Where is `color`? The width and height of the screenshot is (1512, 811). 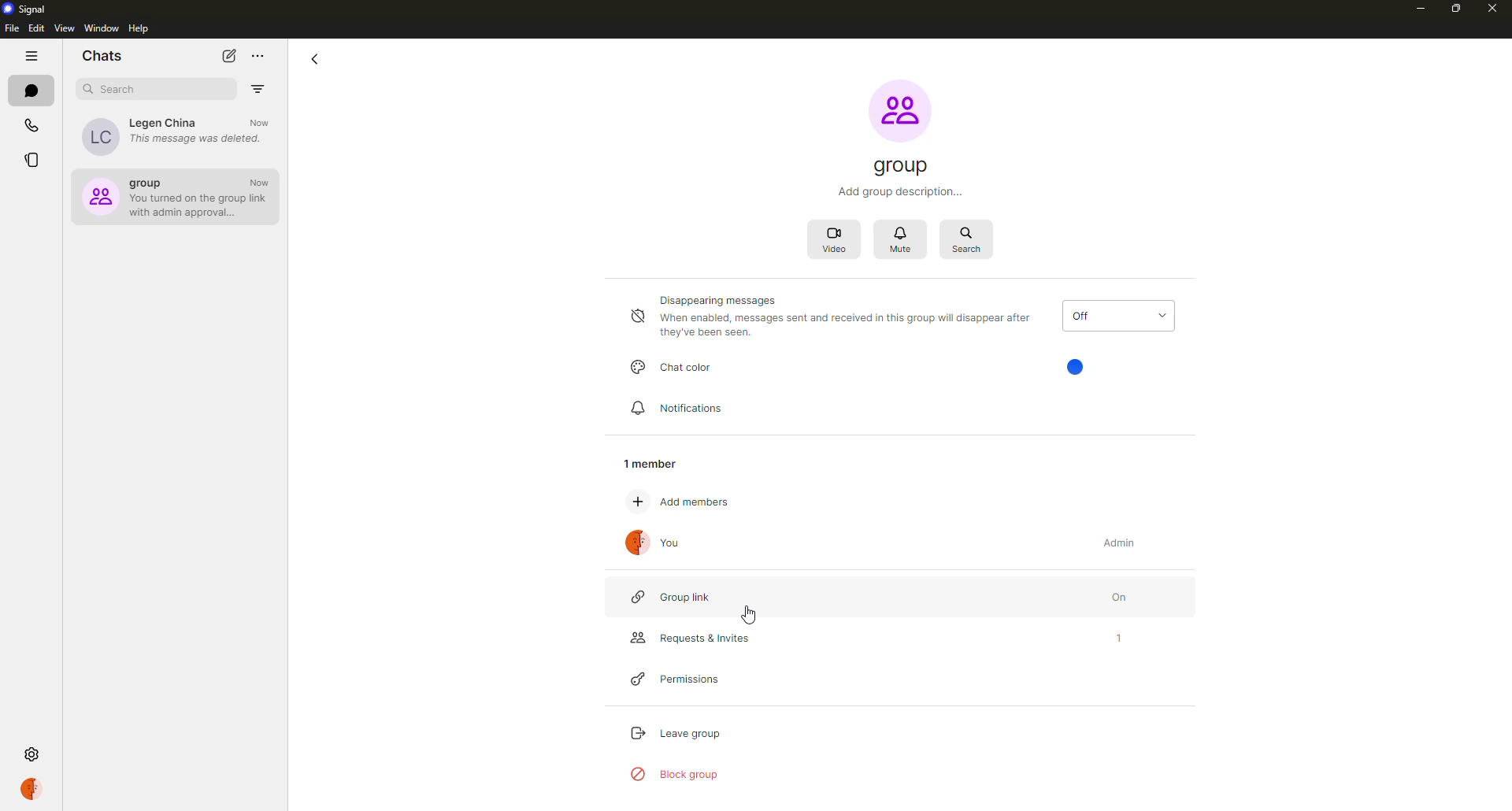
color is located at coordinates (1077, 368).